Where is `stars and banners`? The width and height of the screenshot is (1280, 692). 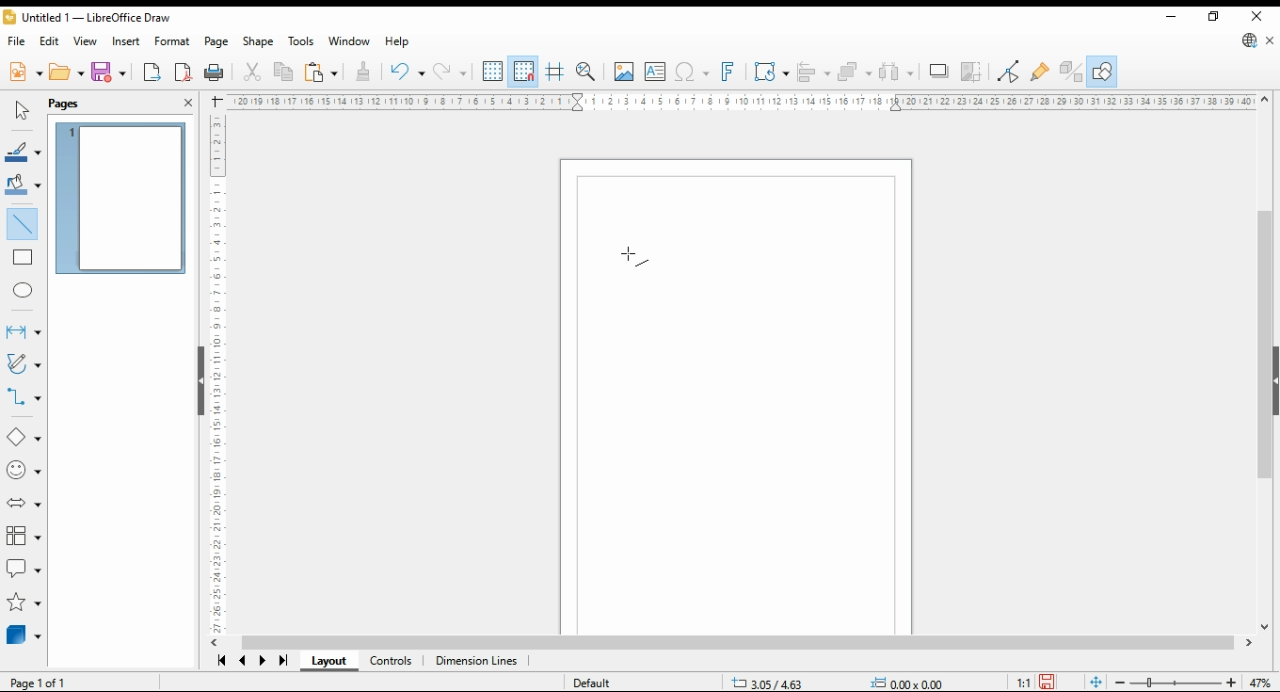
stars and banners is located at coordinates (23, 604).